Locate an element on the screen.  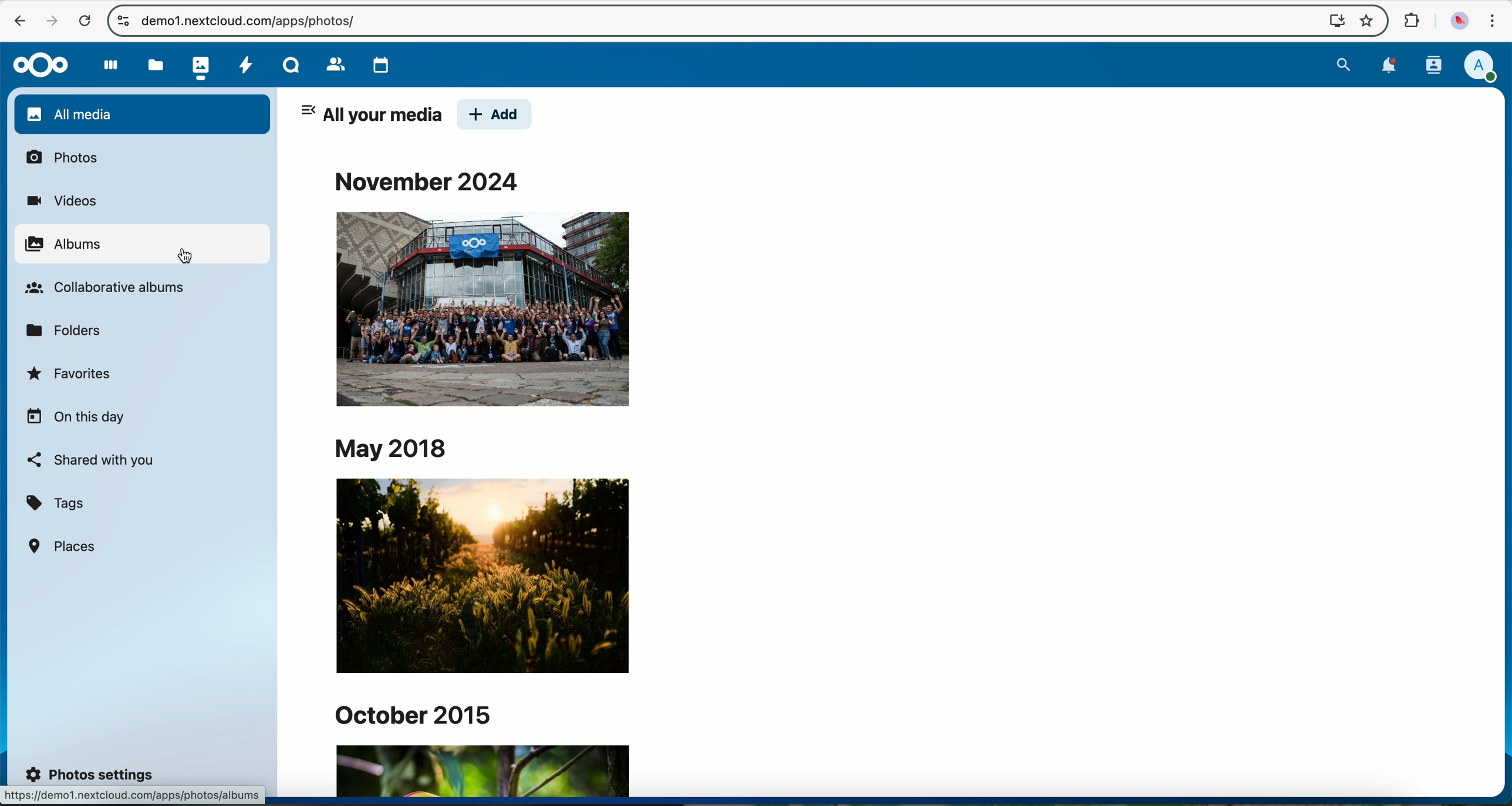
may 2018 is located at coordinates (394, 449).